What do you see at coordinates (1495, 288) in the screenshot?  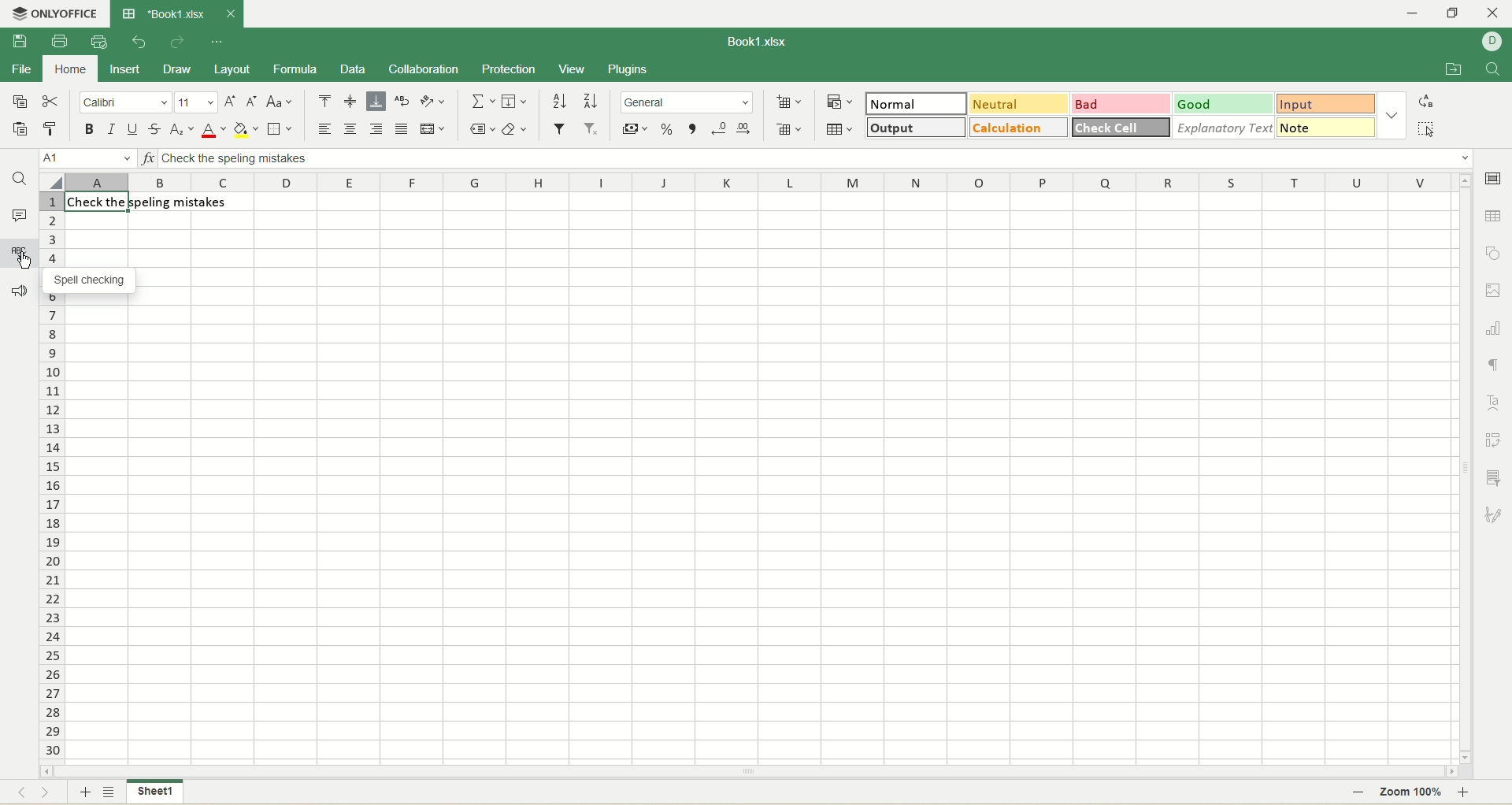 I see `image settings` at bounding box center [1495, 288].